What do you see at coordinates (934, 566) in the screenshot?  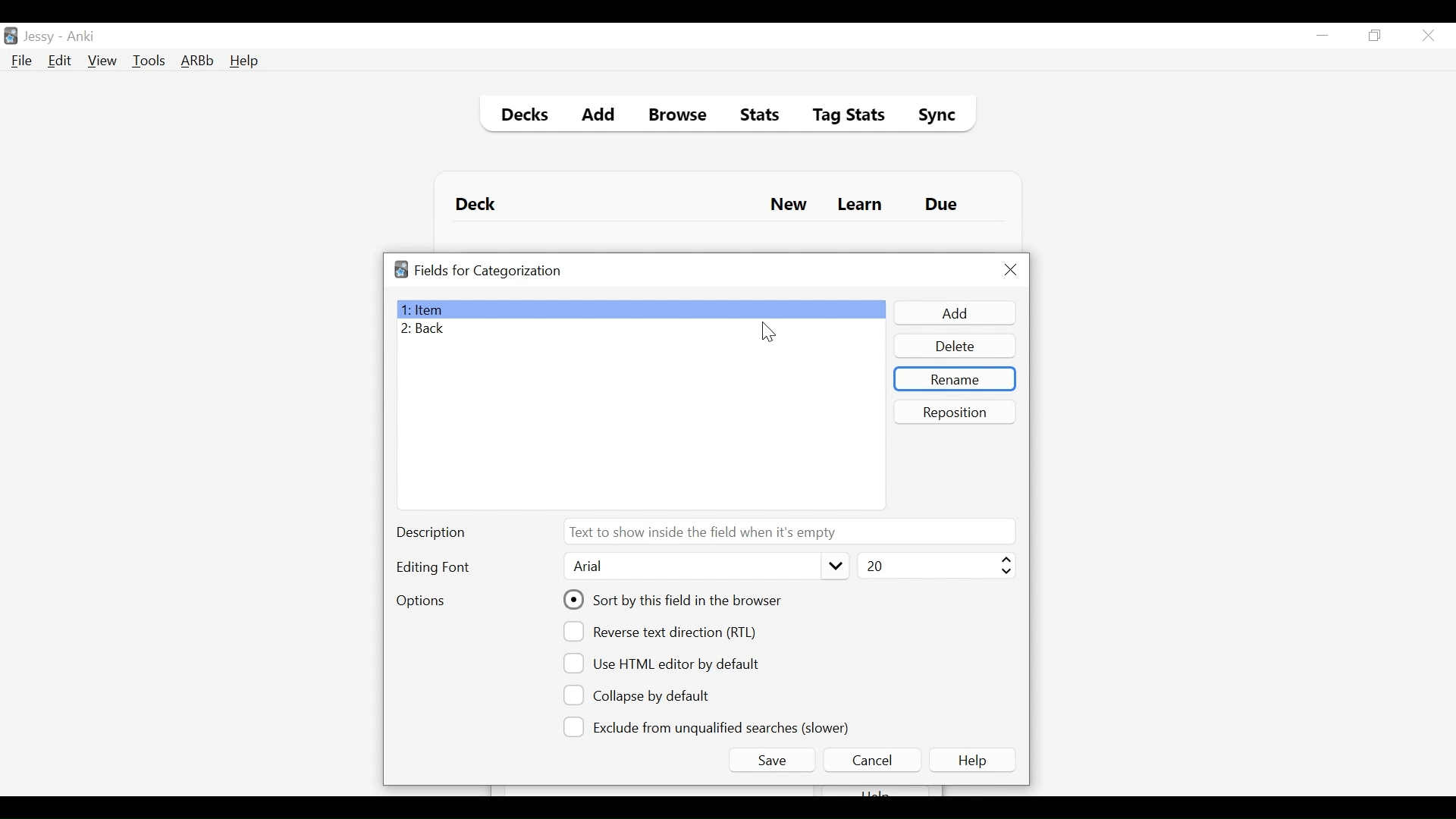 I see `Adjust Font Size` at bounding box center [934, 566].